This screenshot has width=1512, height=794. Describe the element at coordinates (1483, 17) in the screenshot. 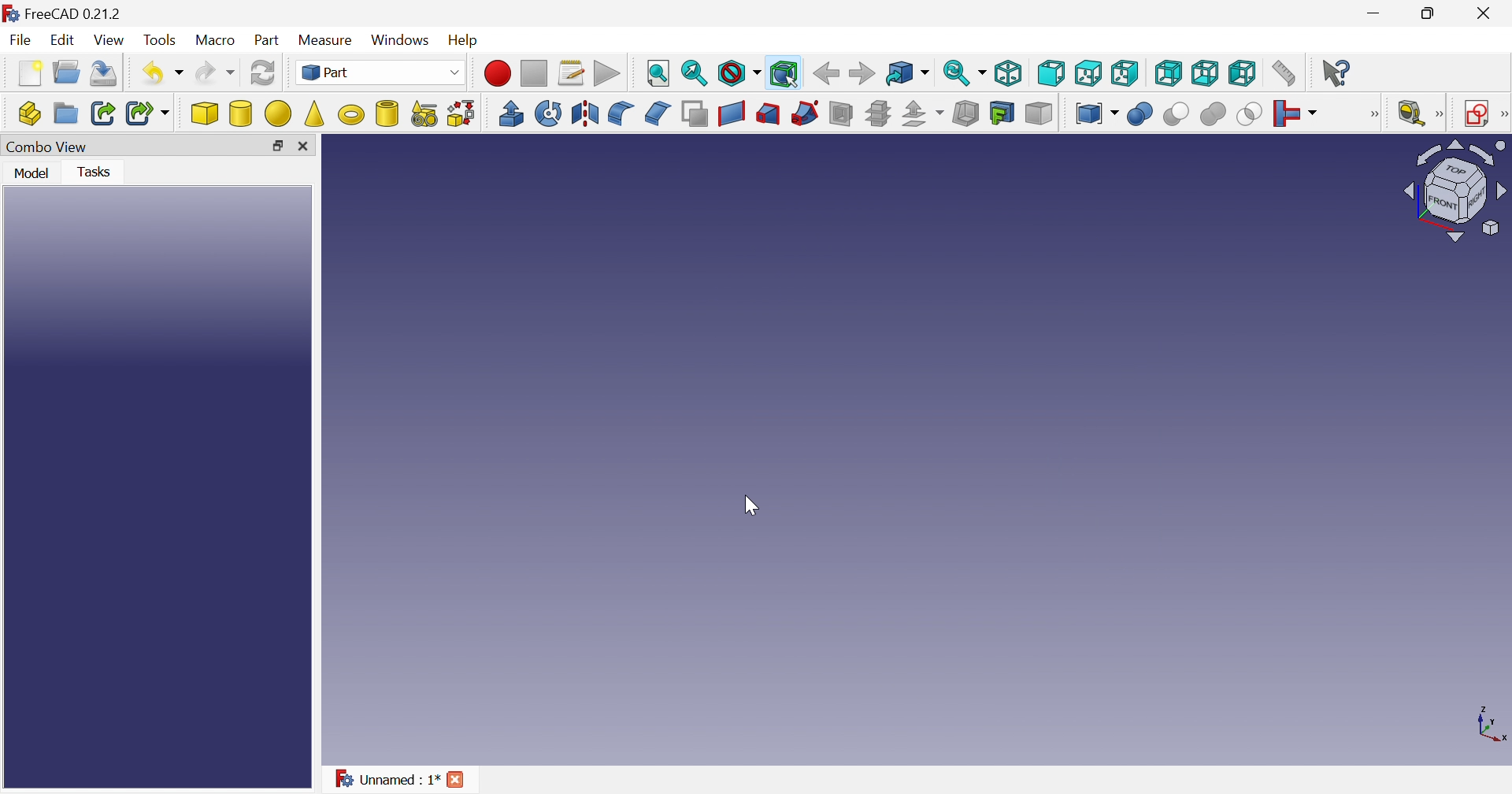

I see `Close` at that location.